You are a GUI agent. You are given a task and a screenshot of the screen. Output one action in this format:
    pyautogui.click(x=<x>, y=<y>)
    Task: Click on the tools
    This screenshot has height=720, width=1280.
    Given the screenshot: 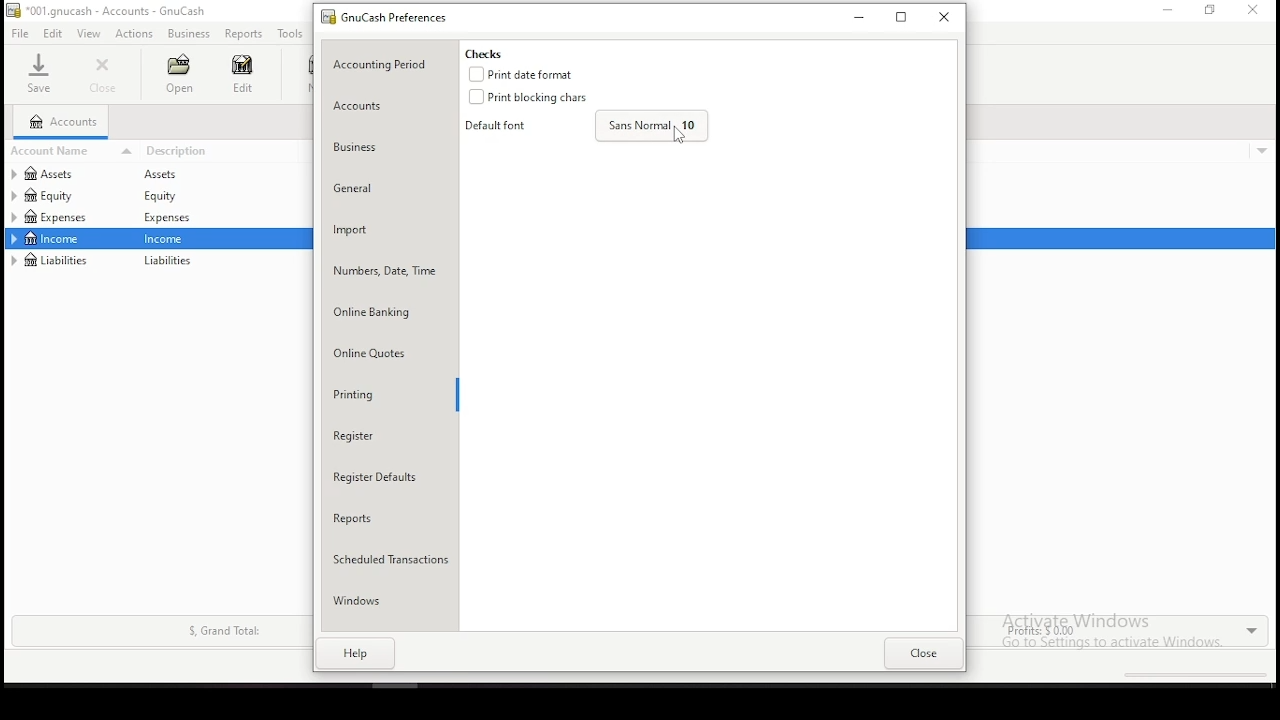 What is the action you would take?
    pyautogui.click(x=291, y=33)
    